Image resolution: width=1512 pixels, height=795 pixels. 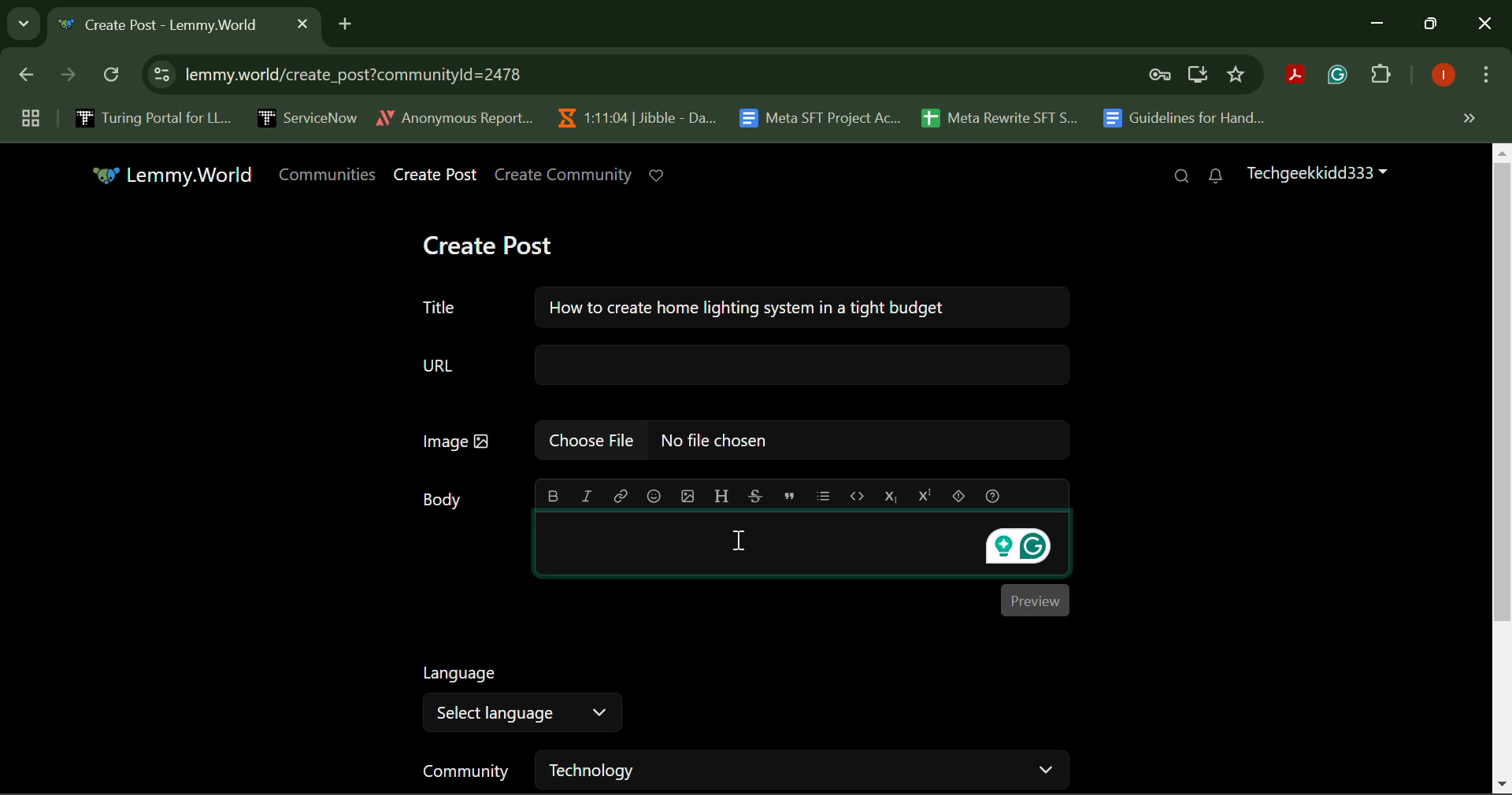 I want to click on quote, so click(x=790, y=495).